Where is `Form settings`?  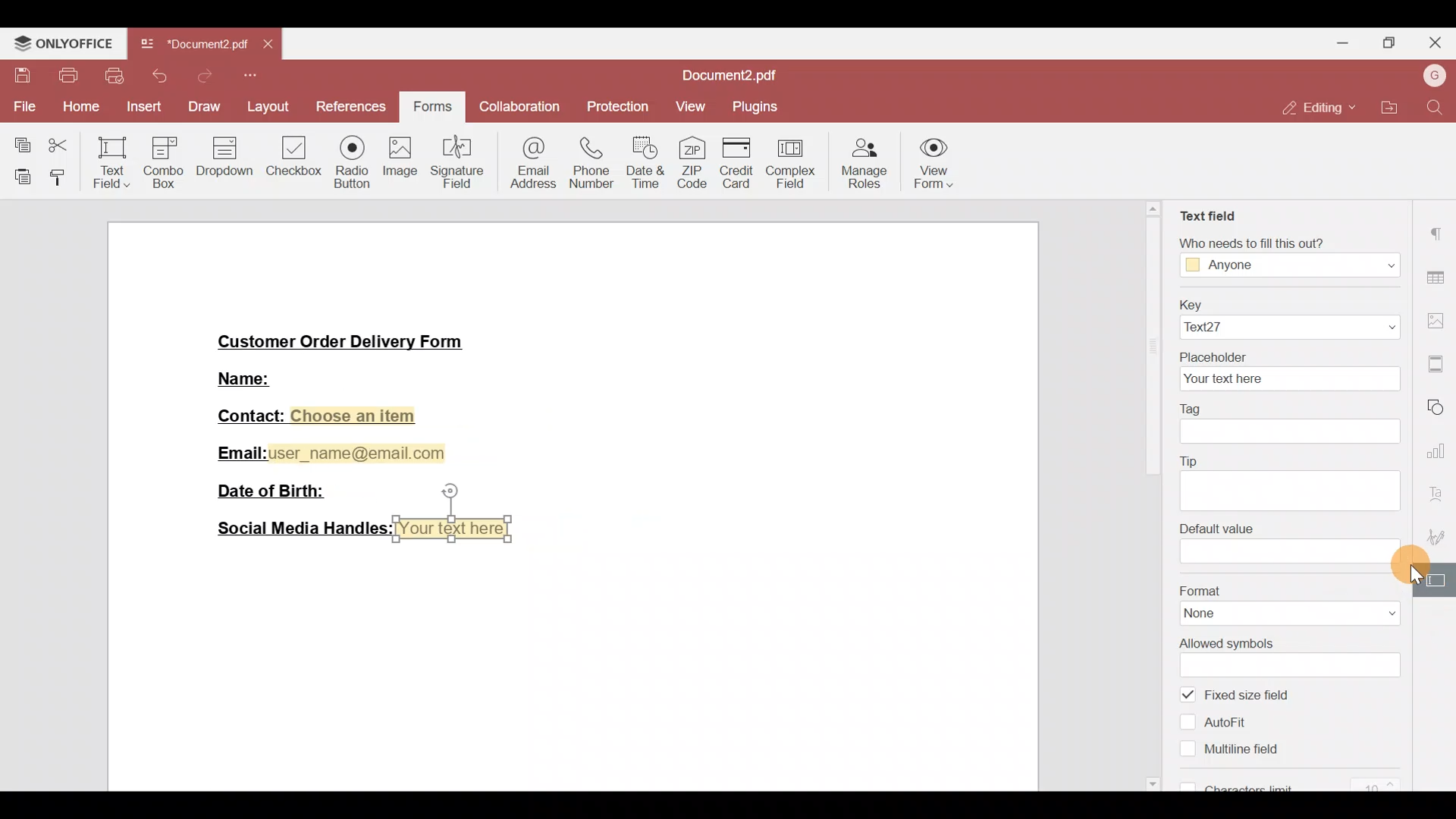 Form settings is located at coordinates (1438, 579).